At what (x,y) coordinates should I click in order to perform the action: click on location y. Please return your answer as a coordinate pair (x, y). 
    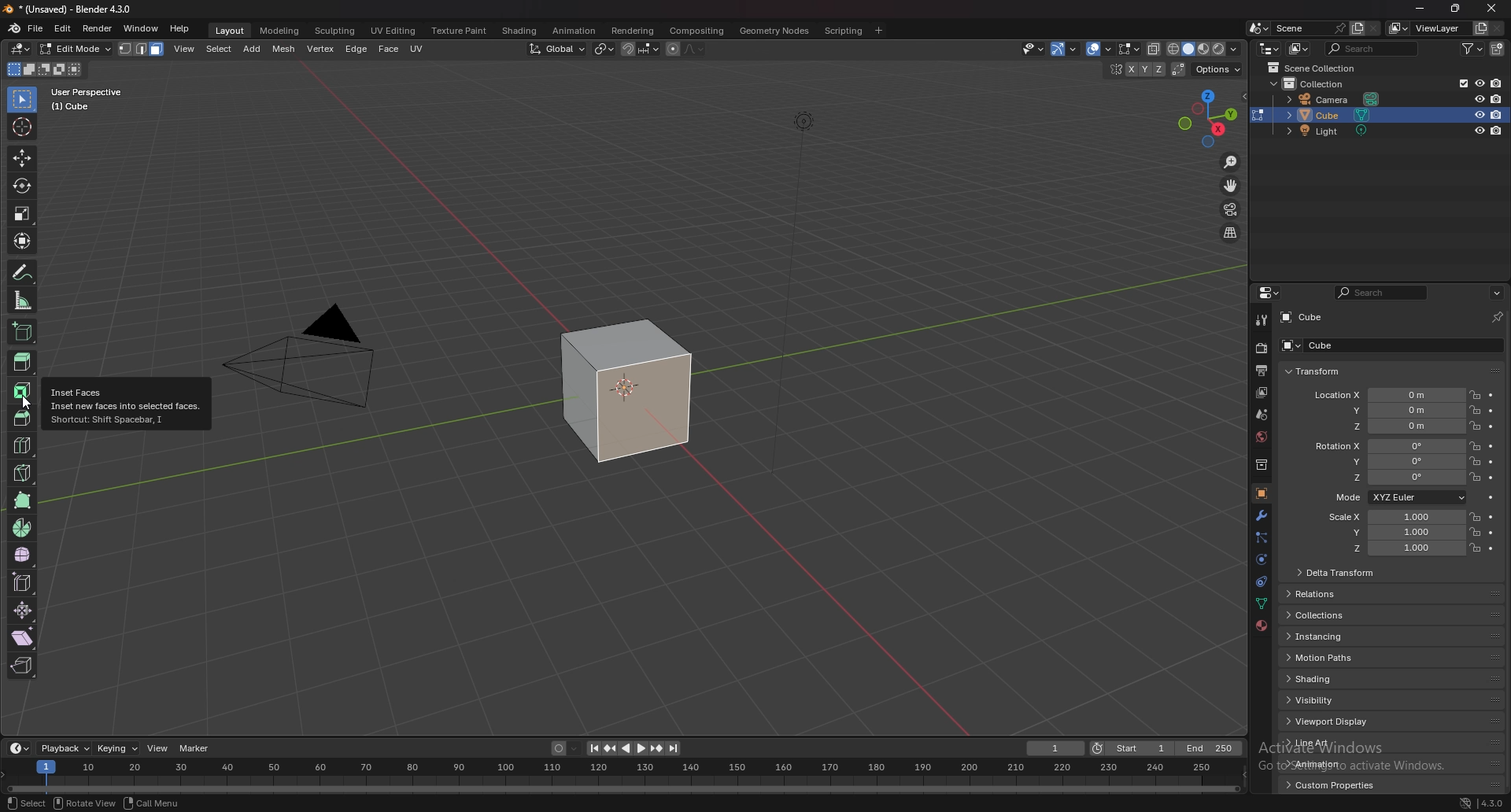
    Looking at the image, I should click on (1388, 411).